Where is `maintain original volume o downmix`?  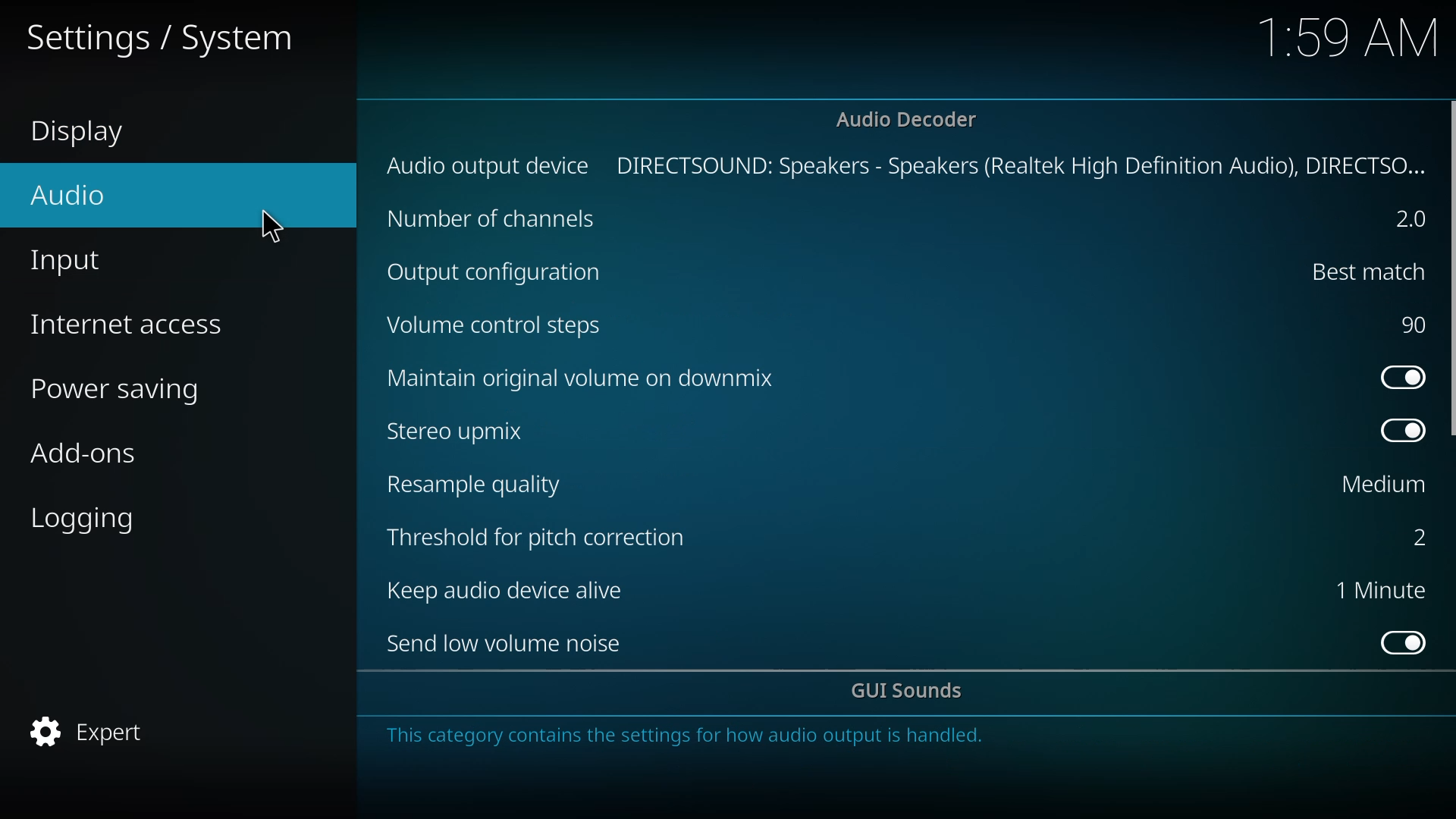 maintain original volume o downmix is located at coordinates (585, 378).